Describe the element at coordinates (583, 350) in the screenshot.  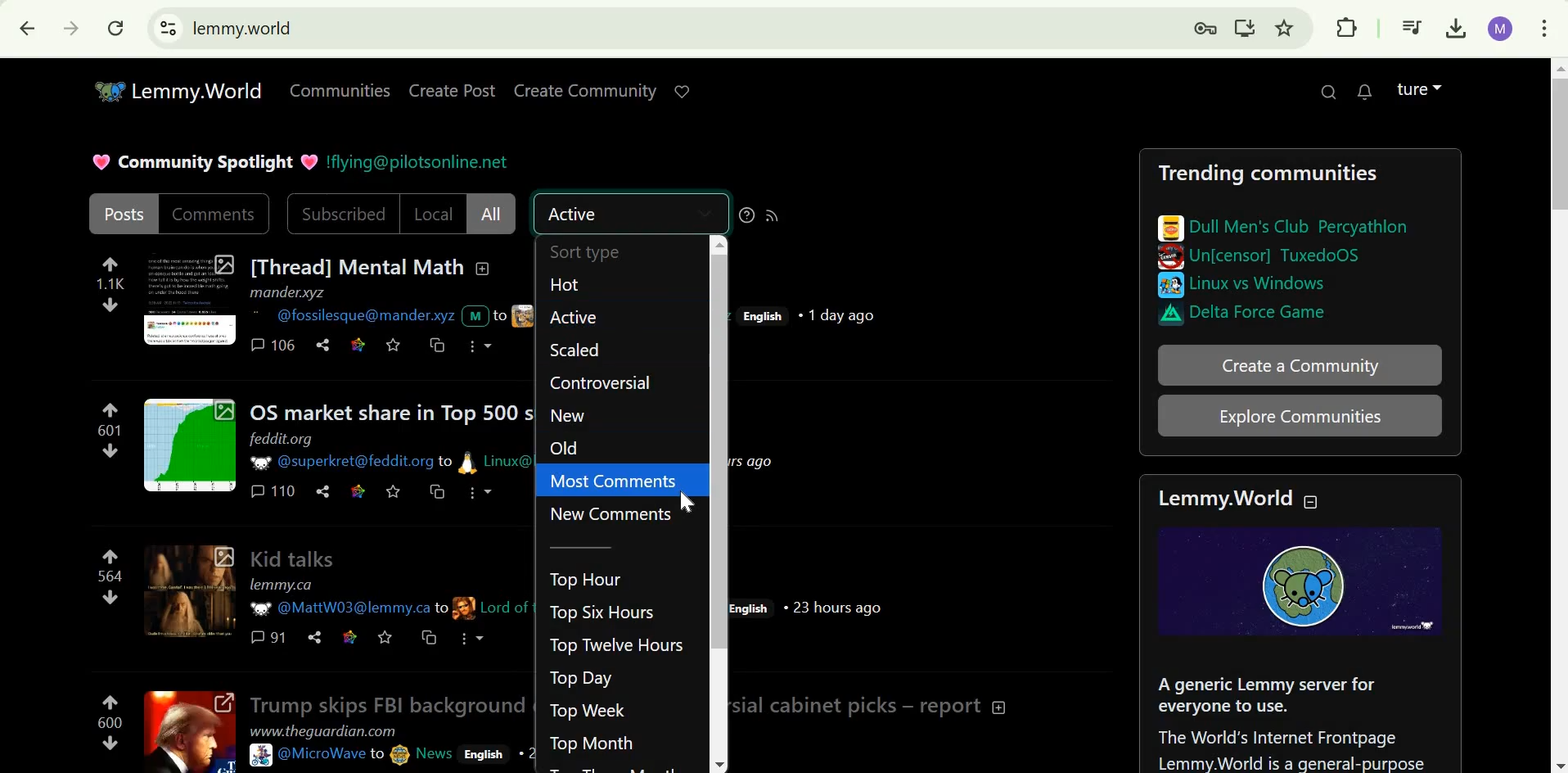
I see `Scaled` at that location.